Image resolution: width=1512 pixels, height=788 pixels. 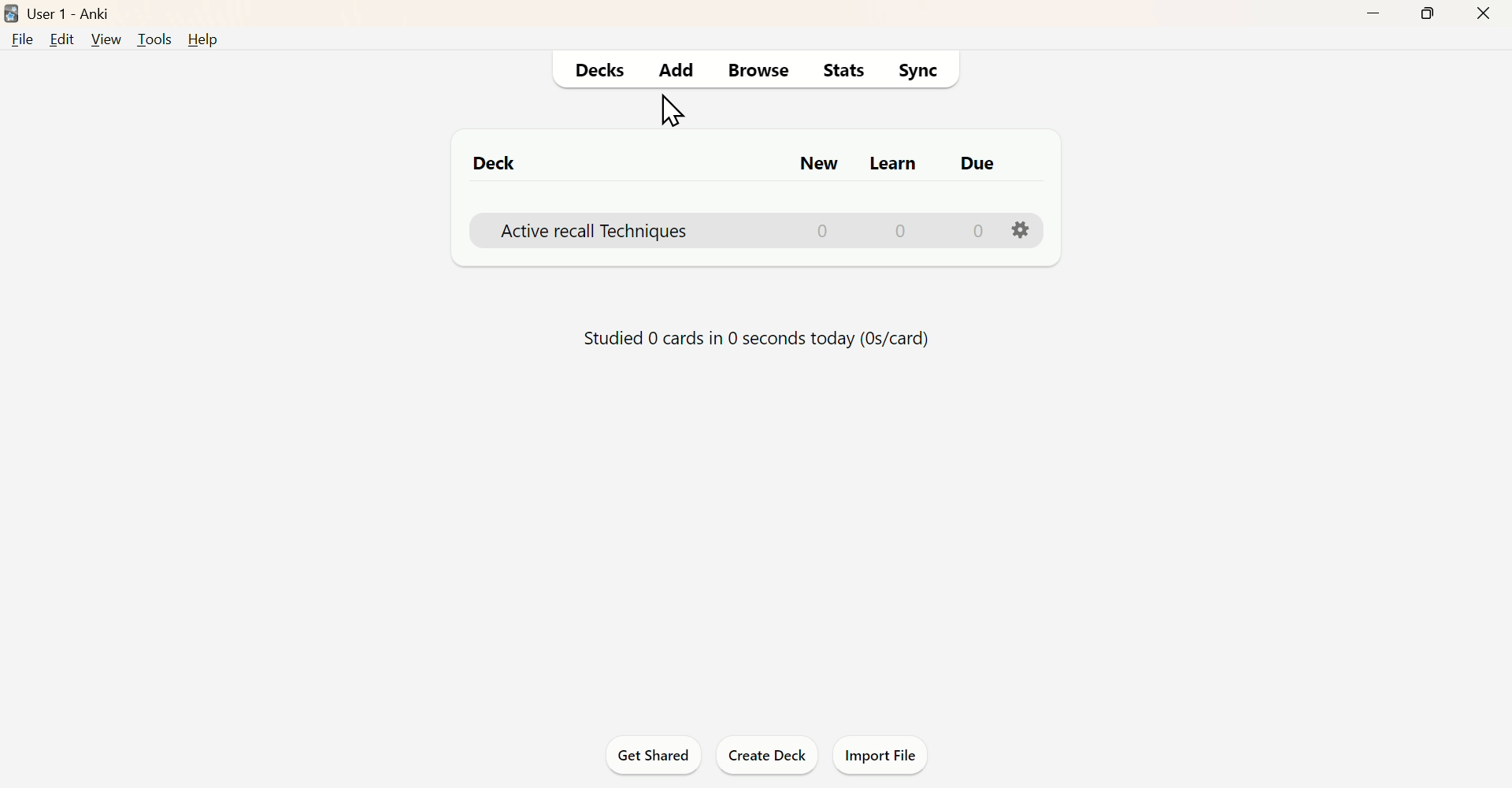 I want to click on Add, so click(x=680, y=71).